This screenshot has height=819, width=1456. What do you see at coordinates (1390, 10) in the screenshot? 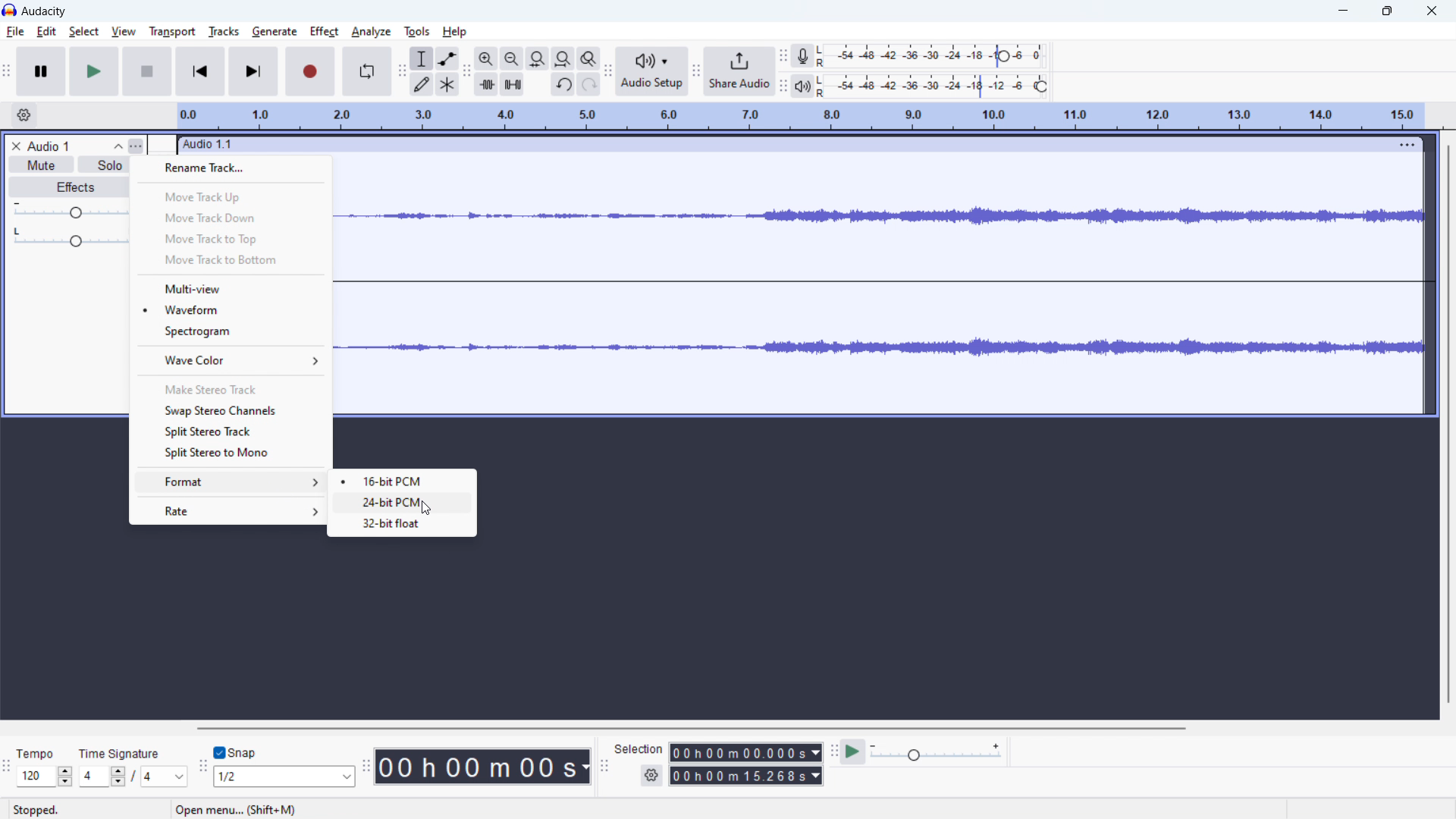
I see `maximize` at bounding box center [1390, 10].